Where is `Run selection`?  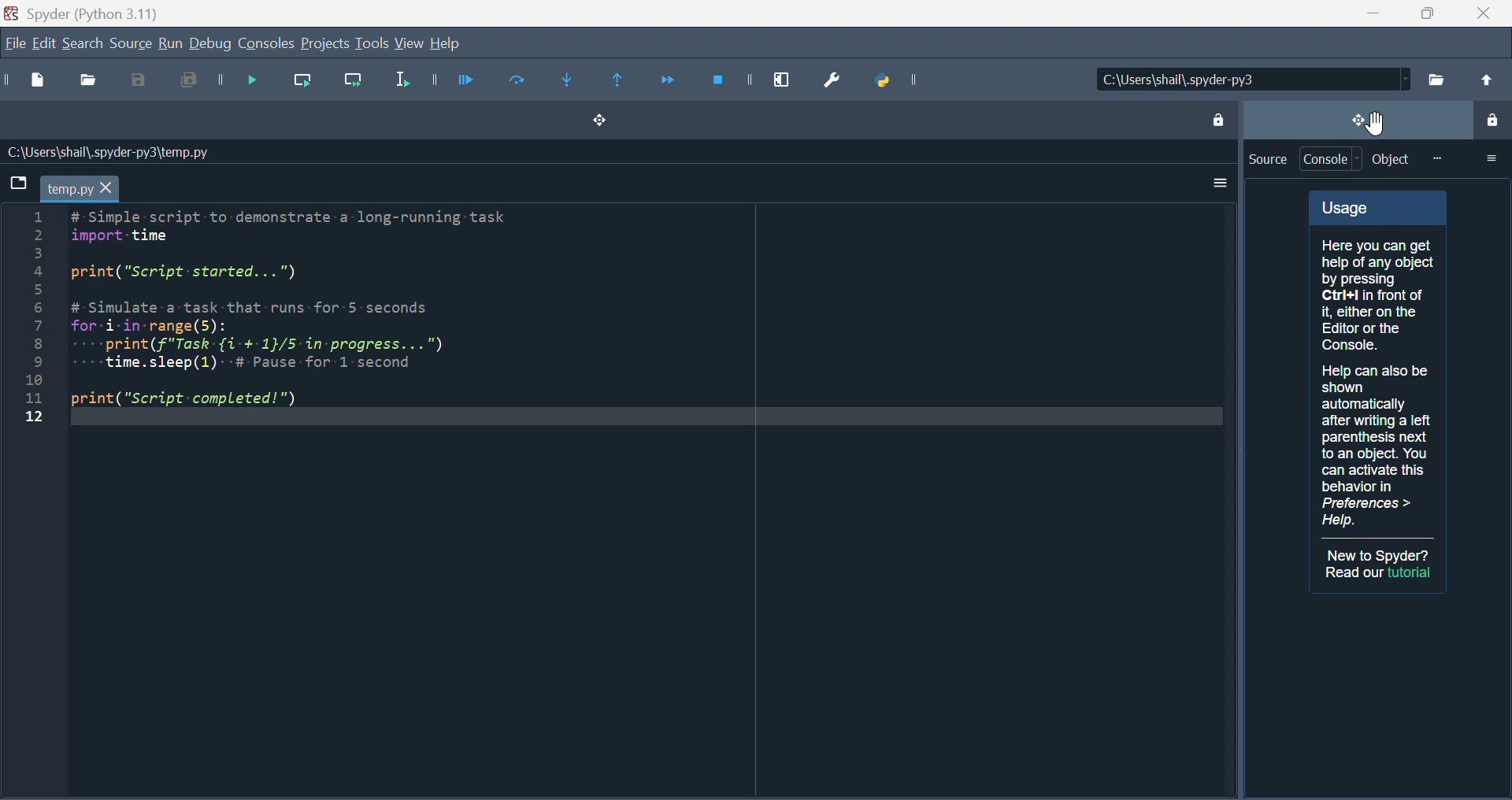 Run selection is located at coordinates (399, 83).